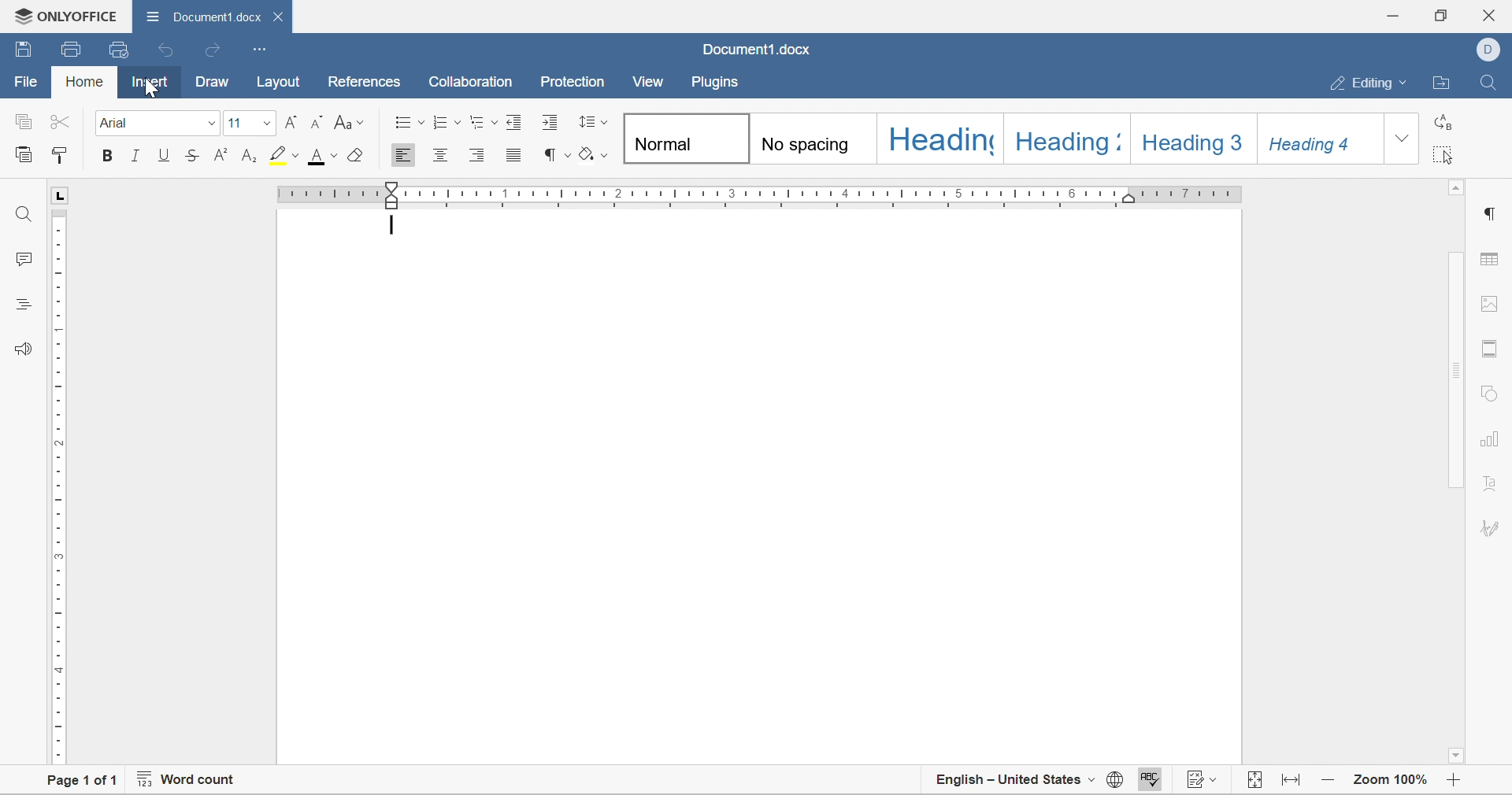 The width and height of the screenshot is (1512, 795). I want to click on Minimize, so click(1395, 13).